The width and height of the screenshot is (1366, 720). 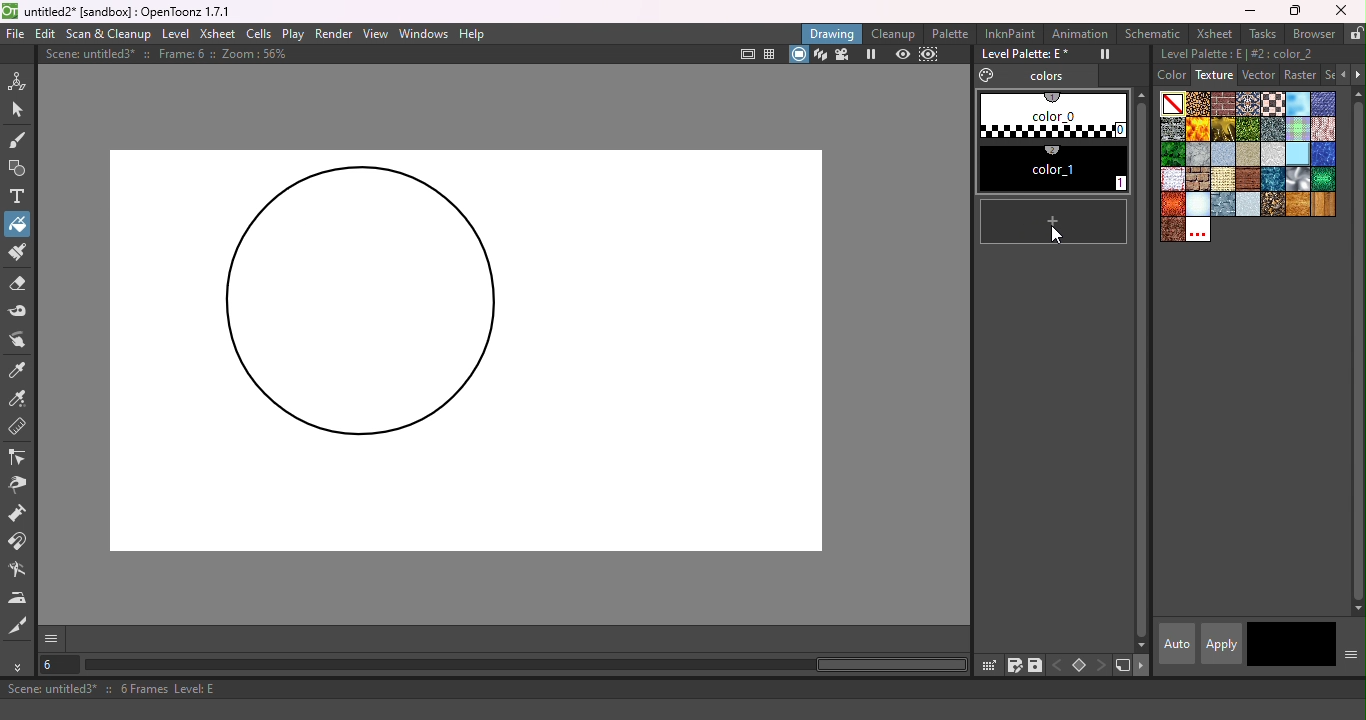 What do you see at coordinates (1323, 129) in the screenshot?
I see `knit_s.bmp` at bounding box center [1323, 129].